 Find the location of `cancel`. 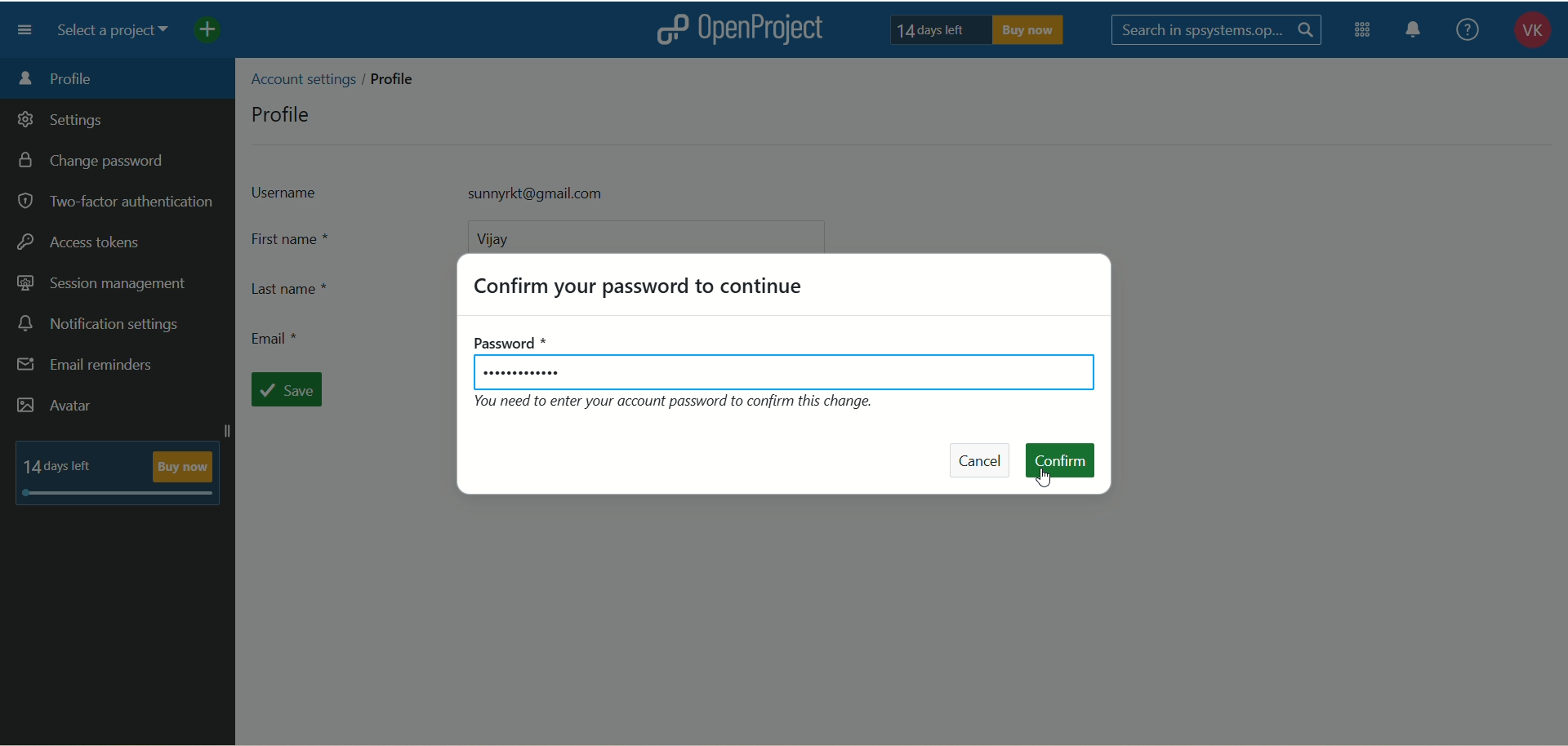

cancel is located at coordinates (982, 459).